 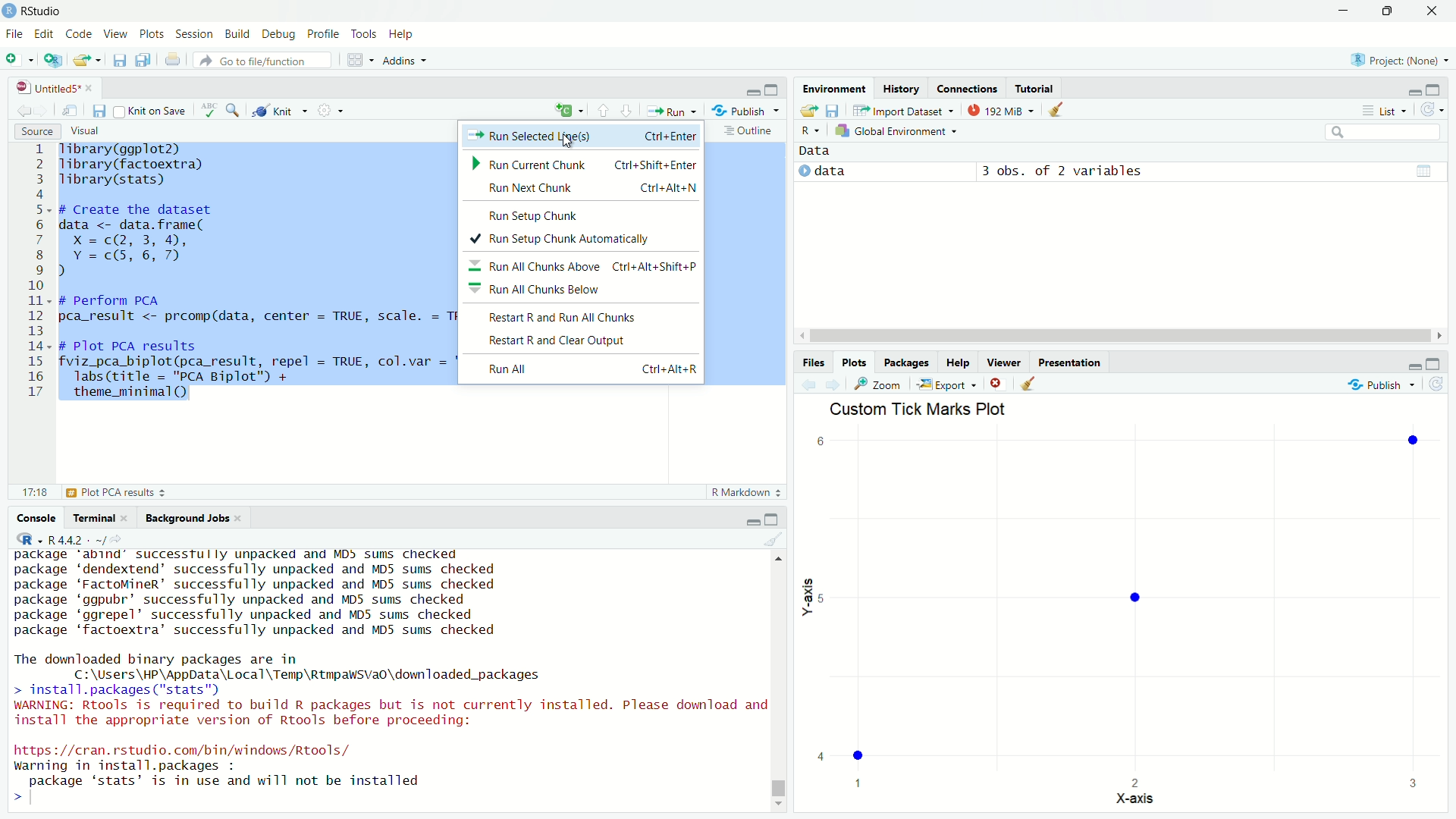 I want to click on data, so click(x=817, y=152).